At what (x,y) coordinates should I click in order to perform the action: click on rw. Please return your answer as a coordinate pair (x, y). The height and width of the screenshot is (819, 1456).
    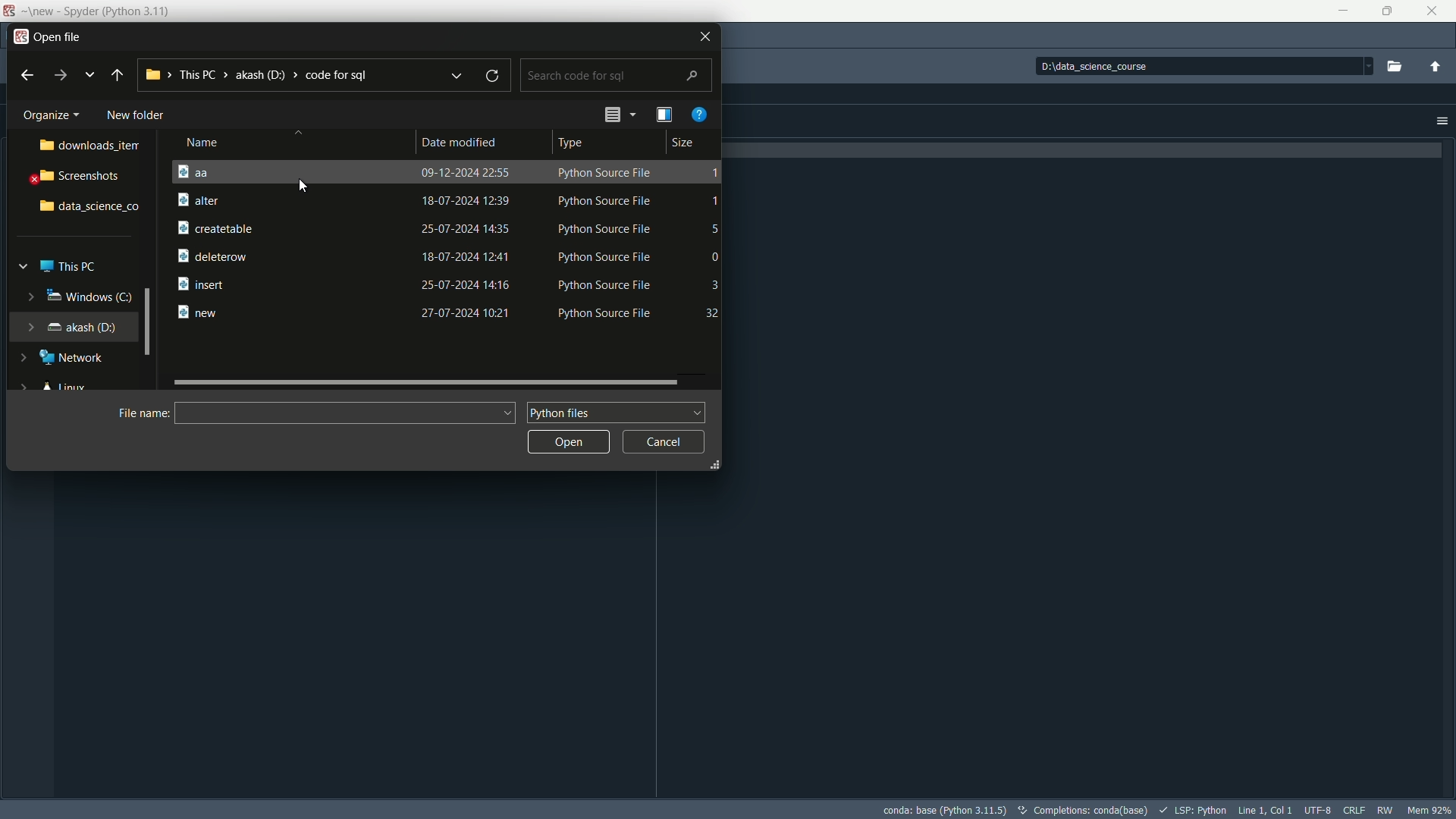
    Looking at the image, I should click on (1385, 809).